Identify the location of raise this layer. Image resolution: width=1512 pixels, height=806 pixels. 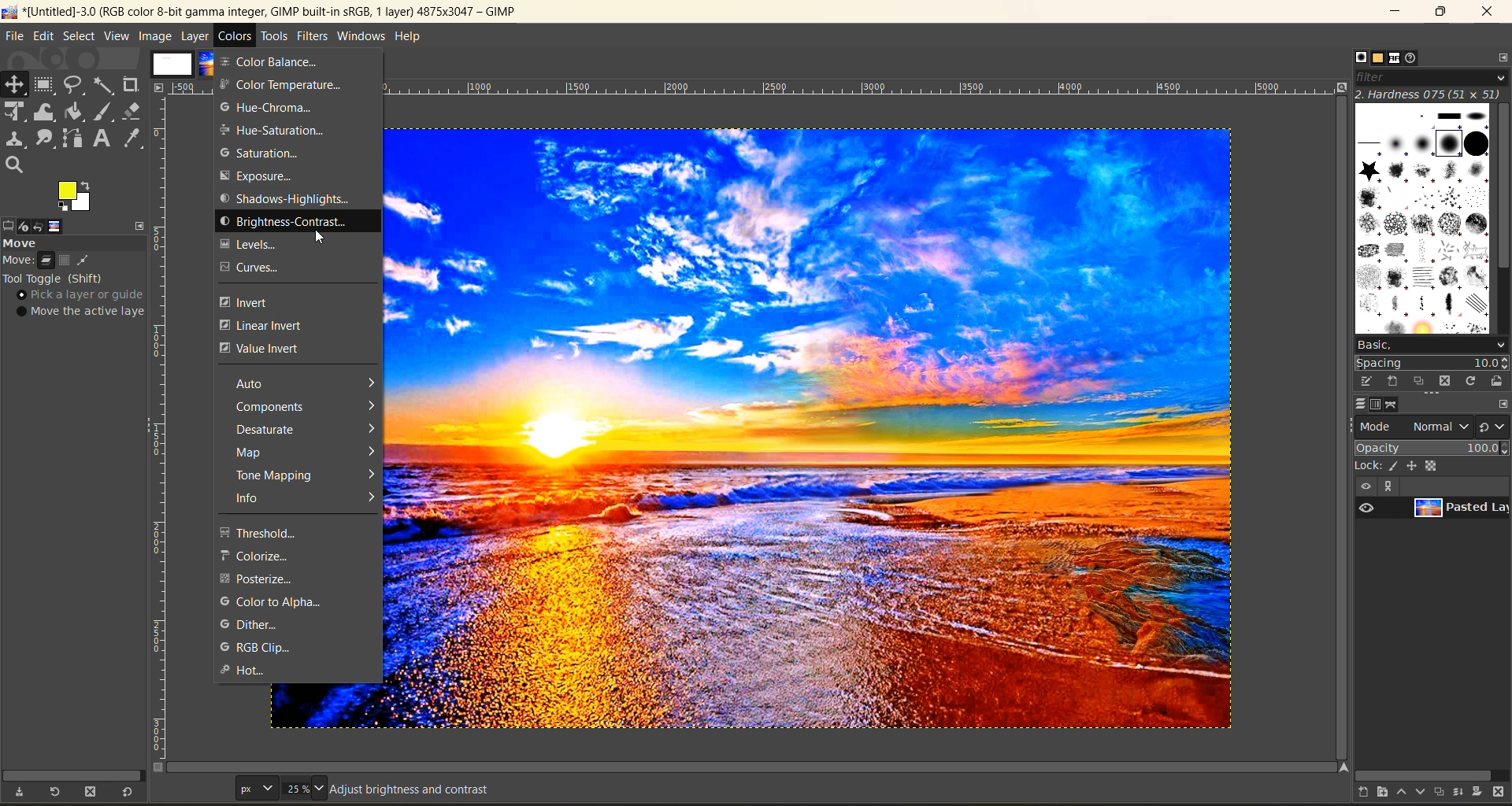
(1406, 794).